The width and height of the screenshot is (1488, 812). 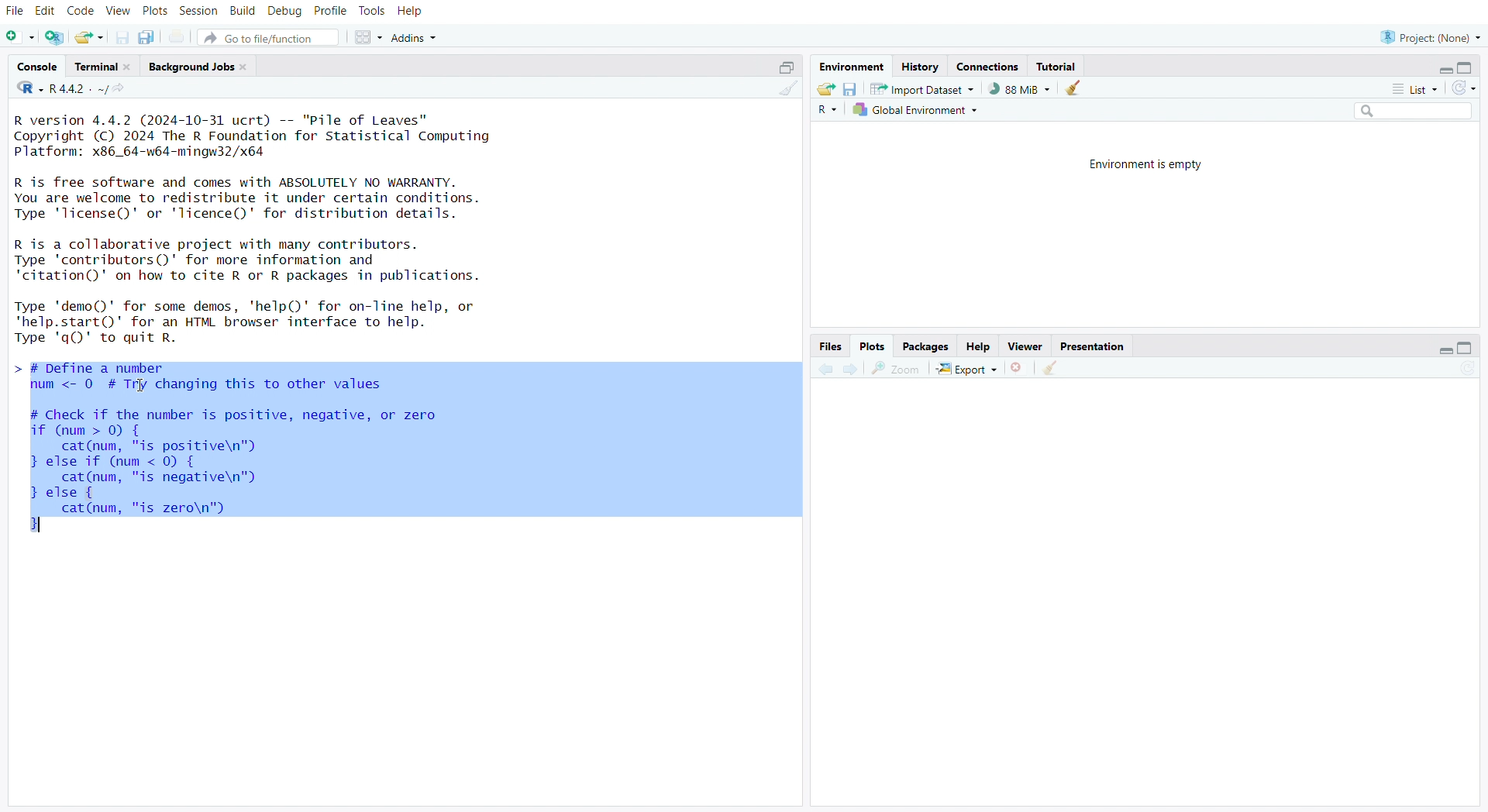 I want to click on console, so click(x=38, y=67).